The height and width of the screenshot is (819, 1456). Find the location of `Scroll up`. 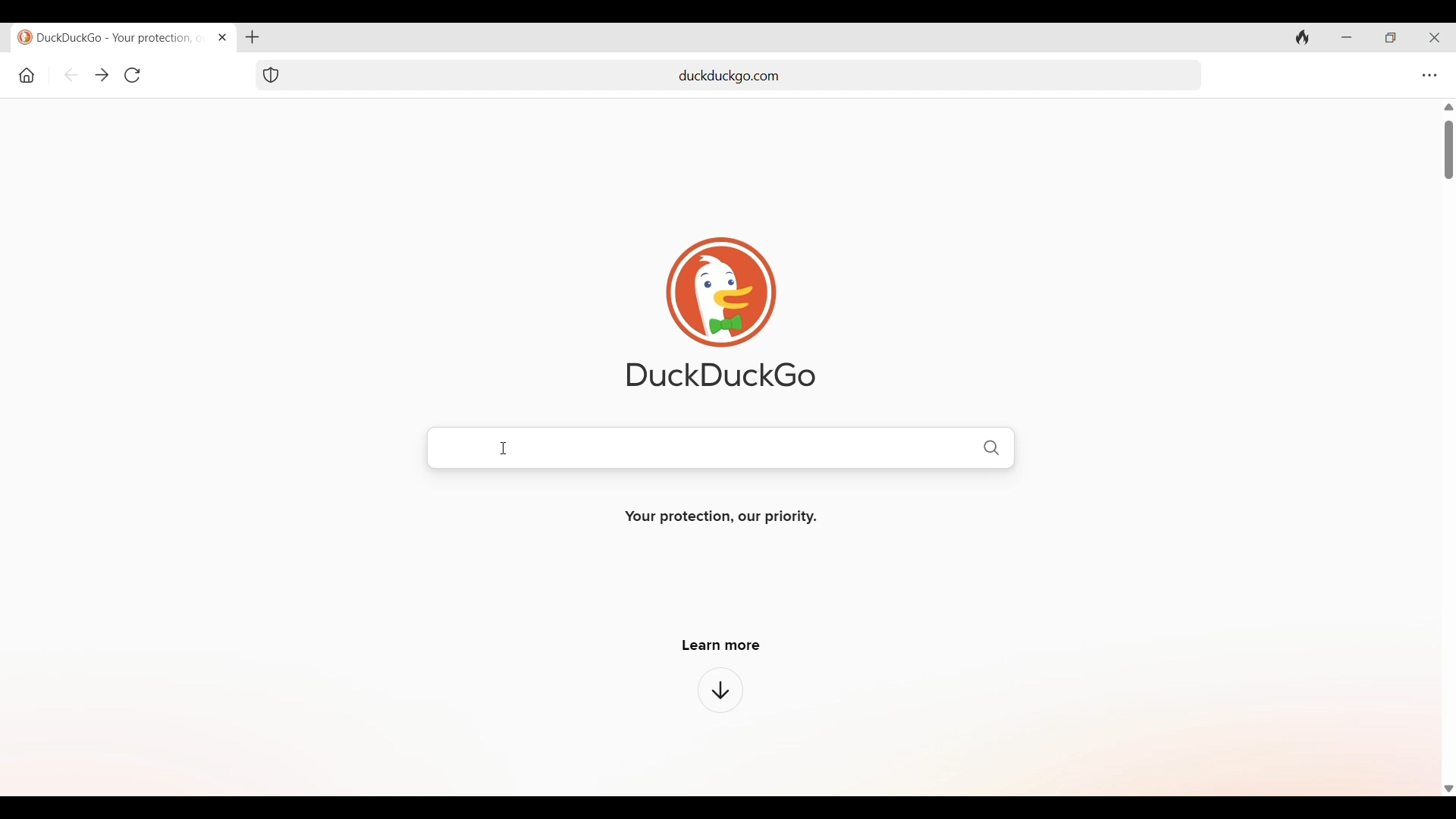

Scroll up is located at coordinates (1447, 106).